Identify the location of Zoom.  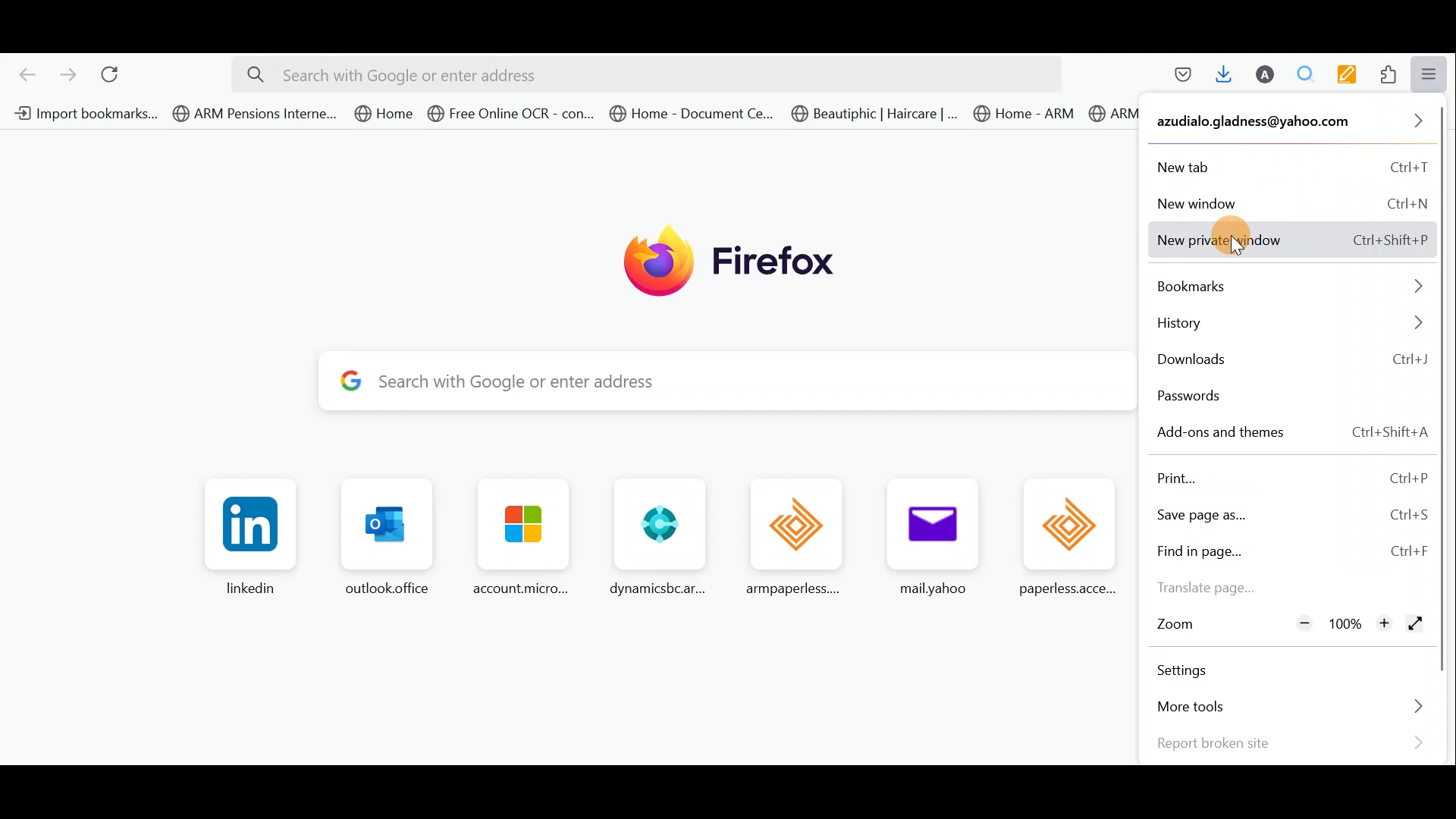
(1177, 626).